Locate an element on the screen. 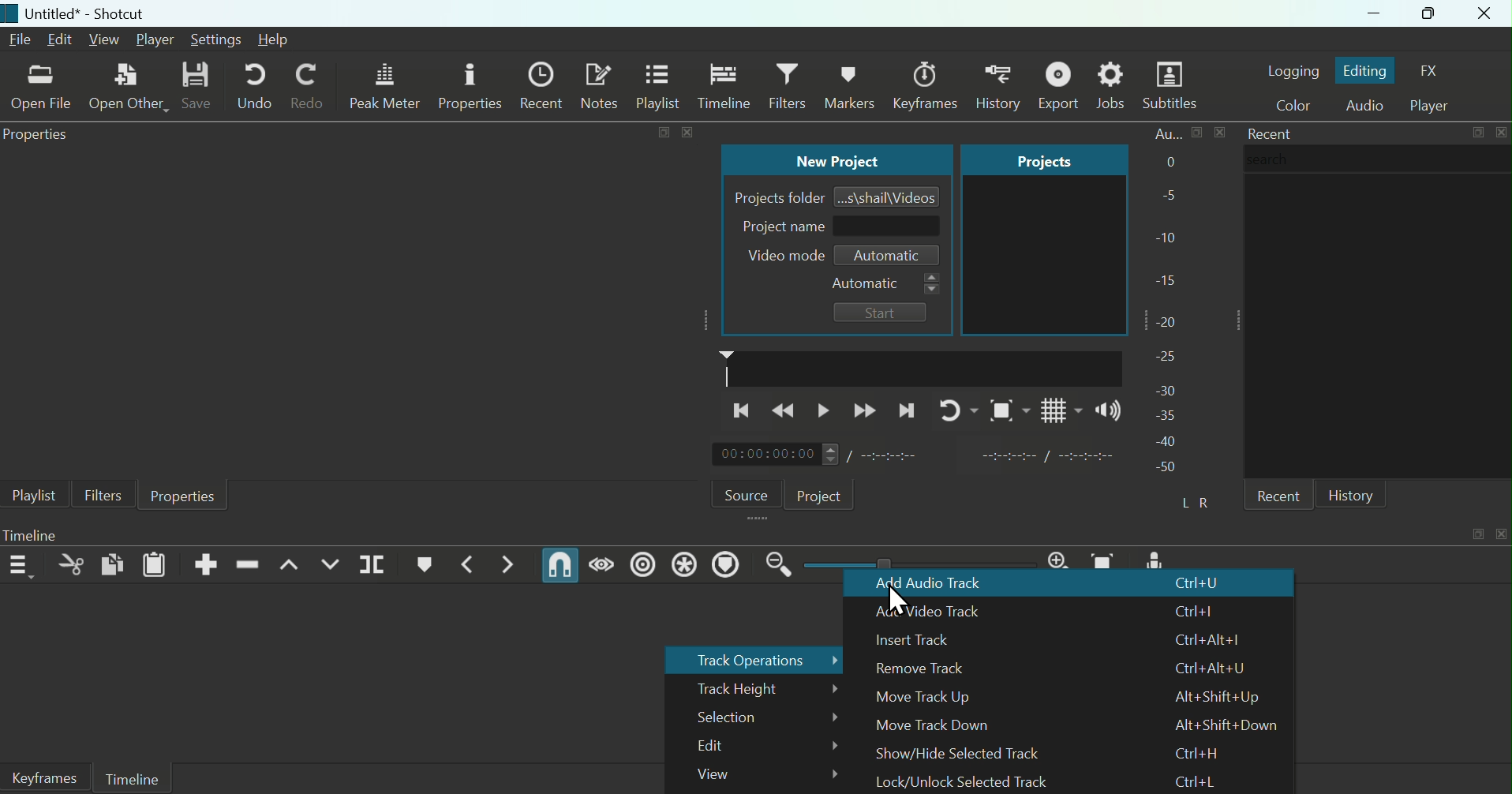  close is located at coordinates (1220, 132).